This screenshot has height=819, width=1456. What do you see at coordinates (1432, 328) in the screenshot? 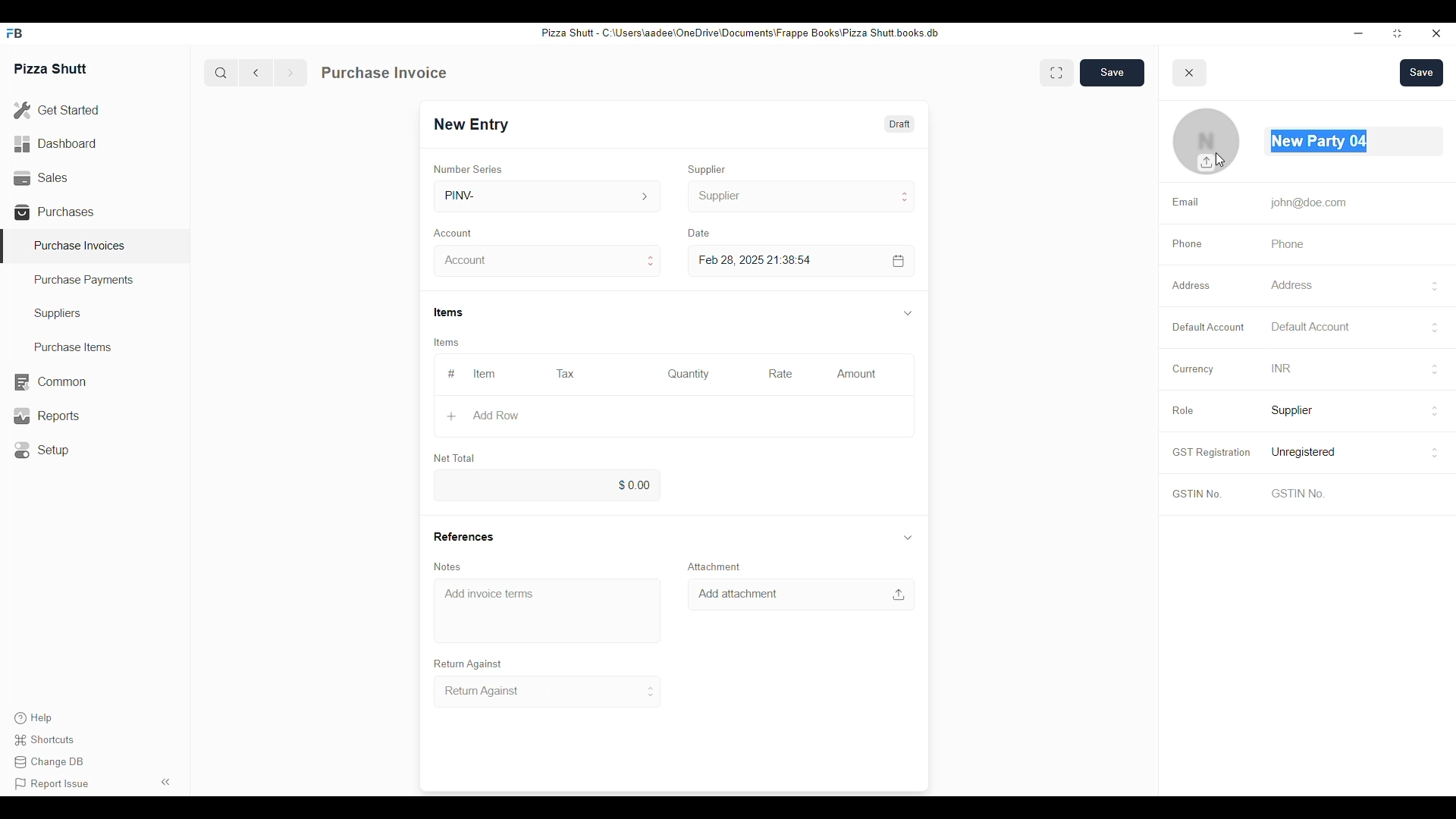
I see `buttons` at bounding box center [1432, 328].